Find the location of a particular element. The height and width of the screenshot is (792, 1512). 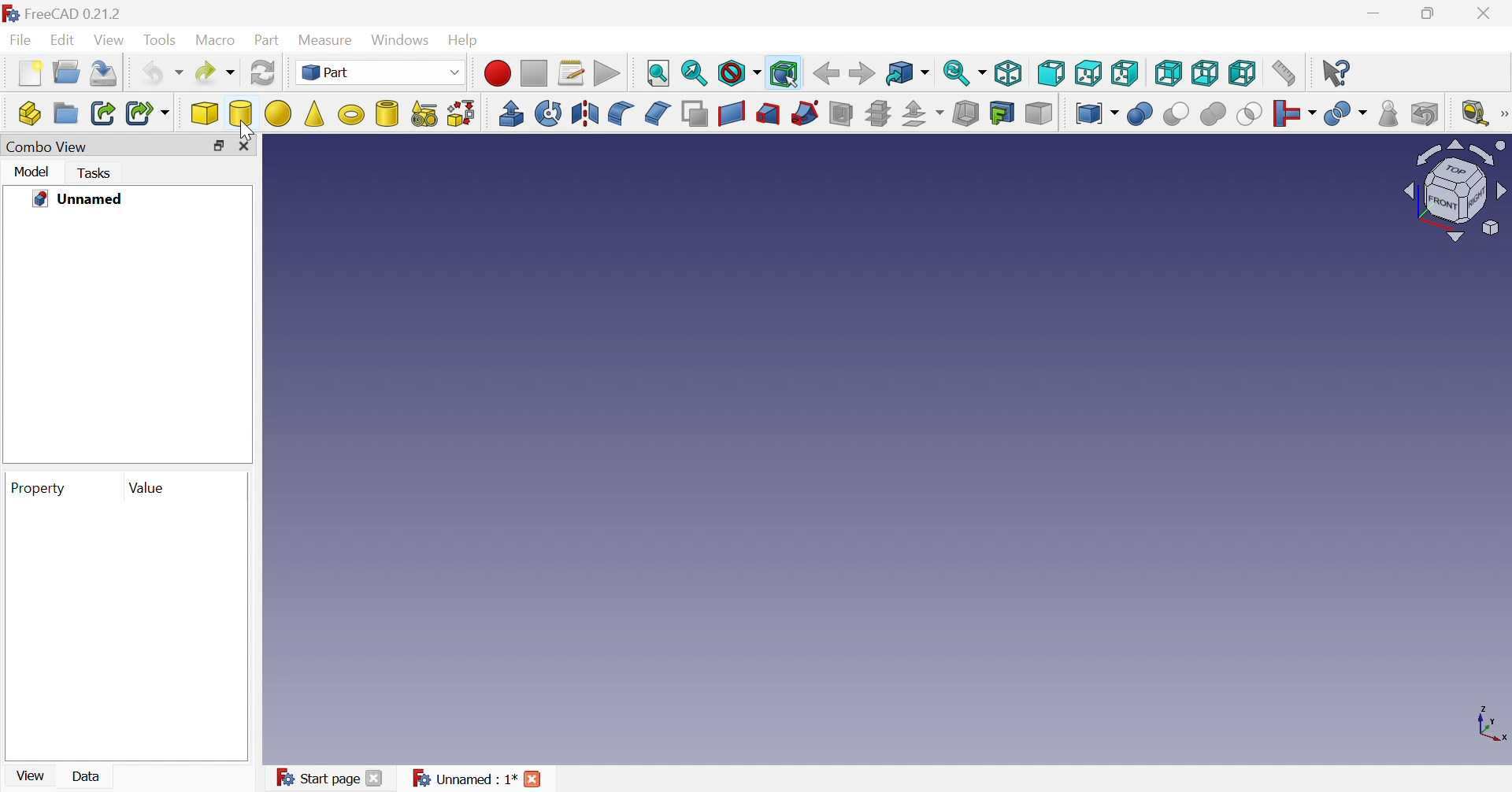

Create primitives... is located at coordinates (424, 116).